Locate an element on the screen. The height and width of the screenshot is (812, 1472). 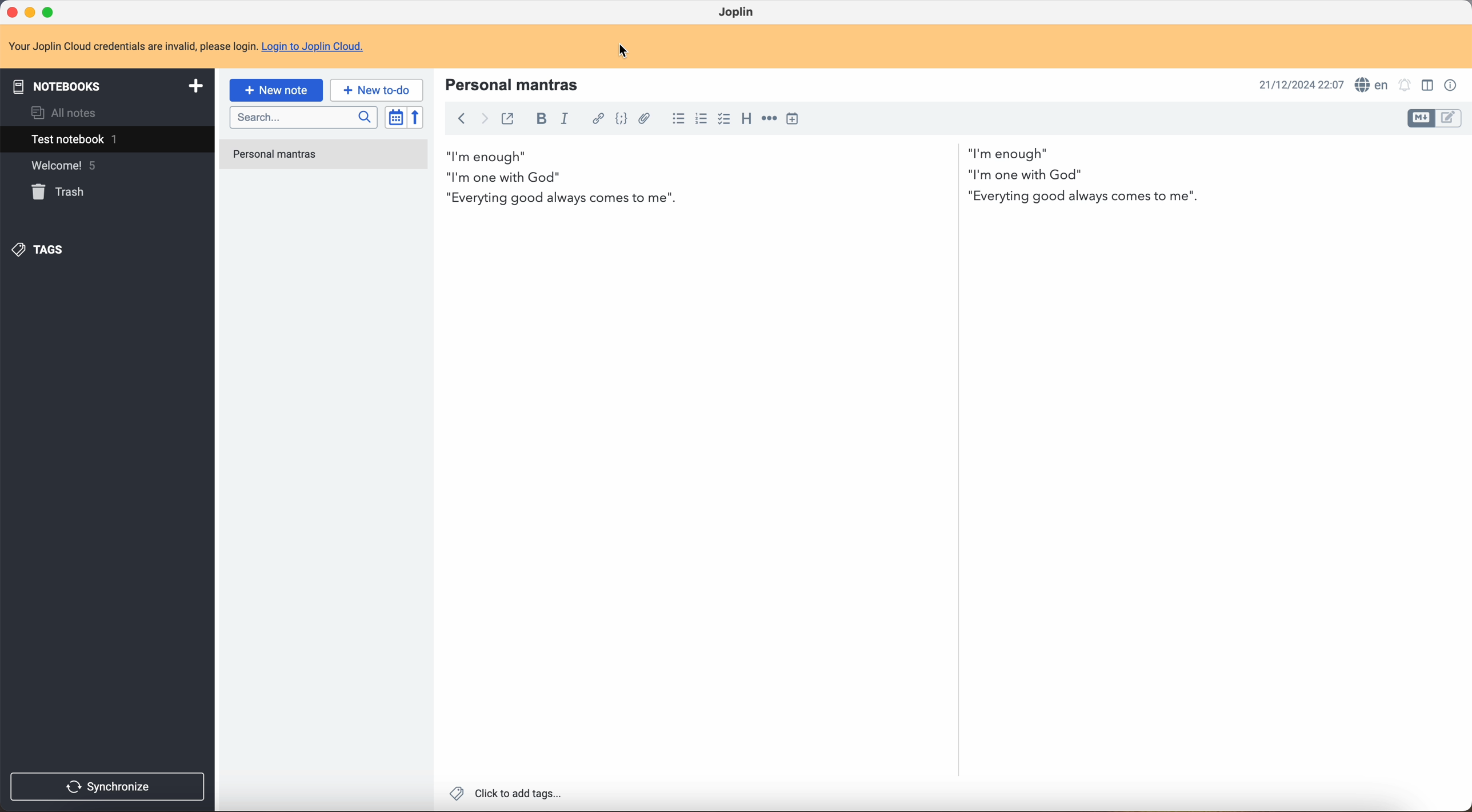
bold is located at coordinates (541, 118).